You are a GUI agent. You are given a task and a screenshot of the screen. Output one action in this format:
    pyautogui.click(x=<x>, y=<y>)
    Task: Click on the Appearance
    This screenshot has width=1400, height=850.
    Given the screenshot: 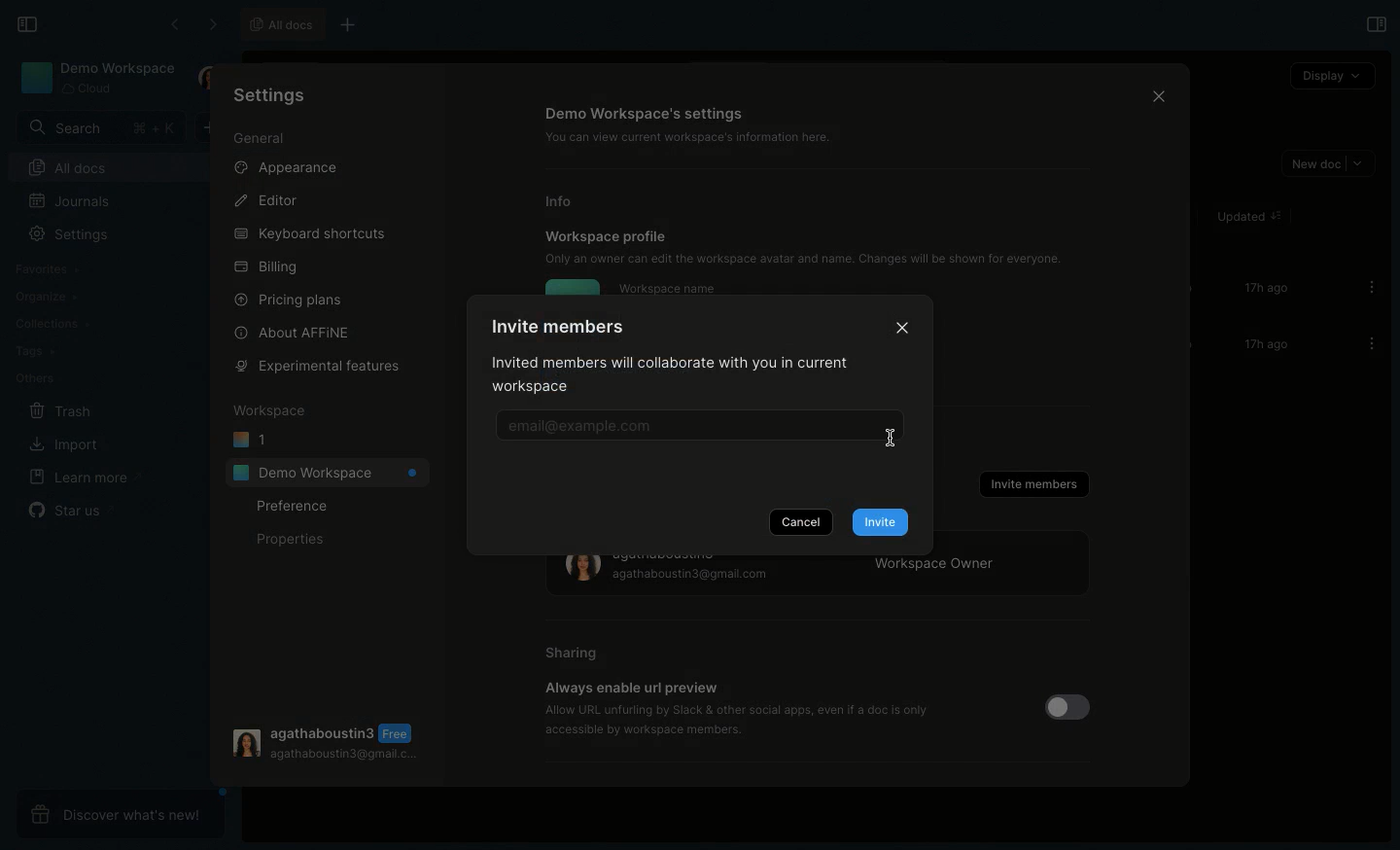 What is the action you would take?
    pyautogui.click(x=284, y=165)
    